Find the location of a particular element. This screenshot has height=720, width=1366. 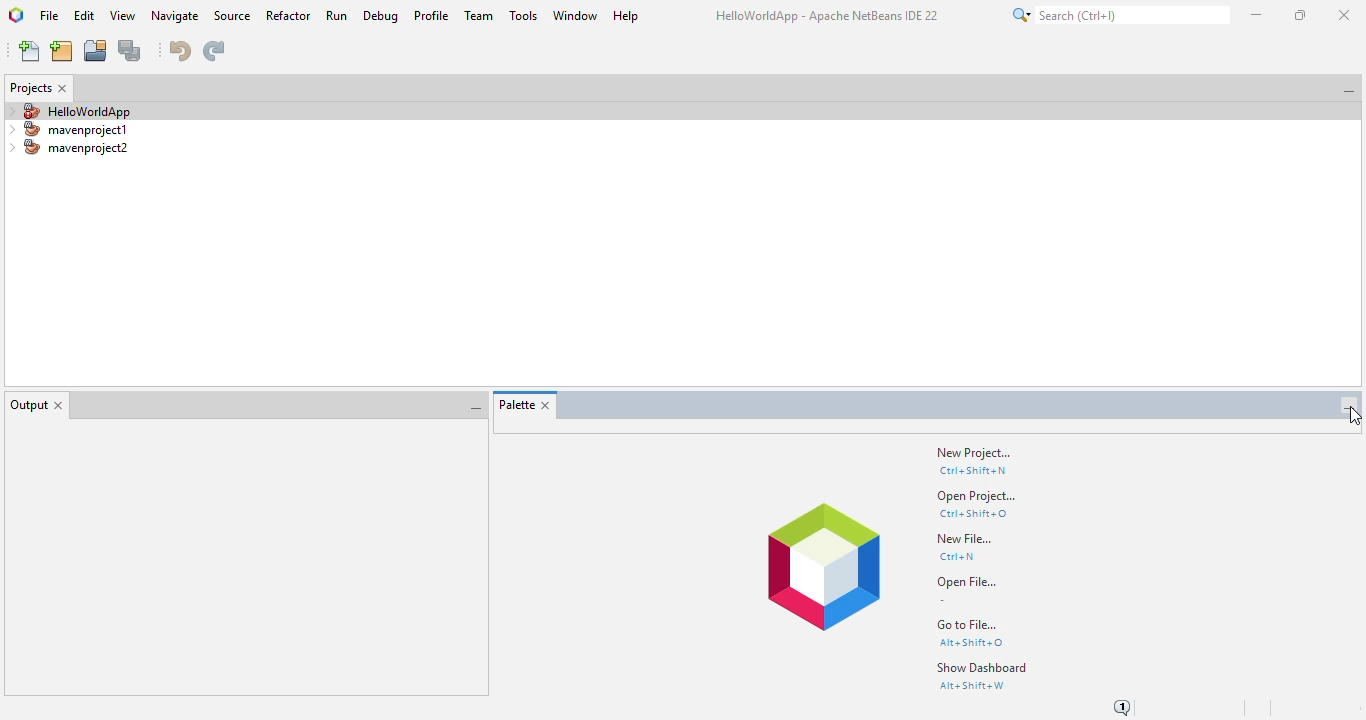

minimize window group is located at coordinates (472, 409).